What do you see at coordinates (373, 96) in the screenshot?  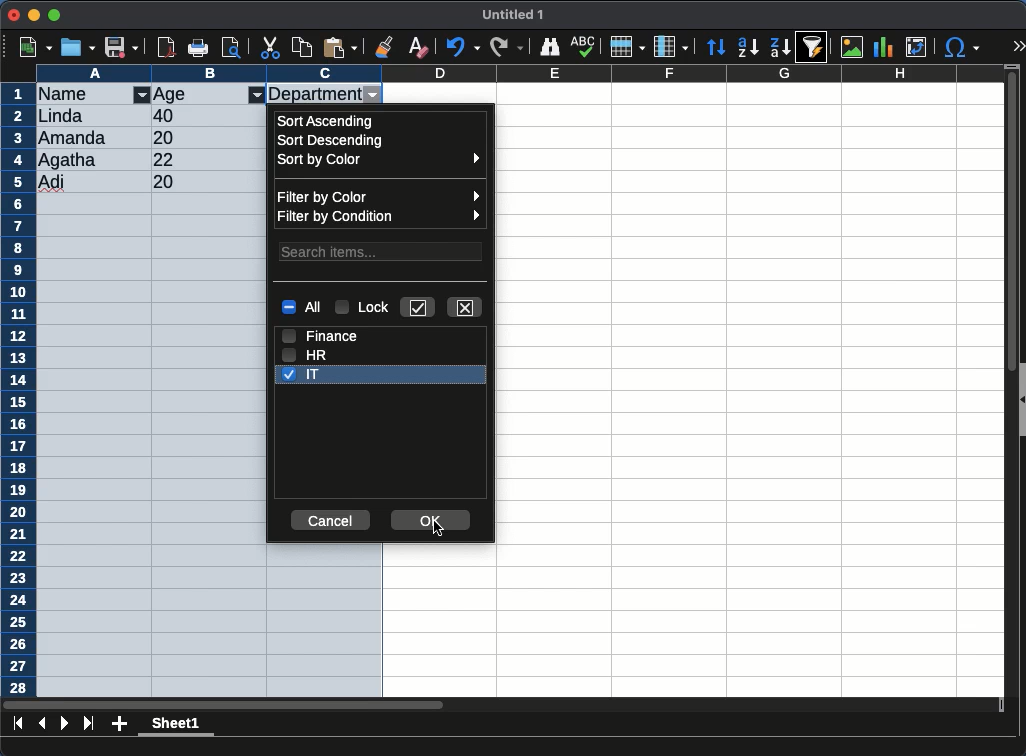 I see `filter` at bounding box center [373, 96].